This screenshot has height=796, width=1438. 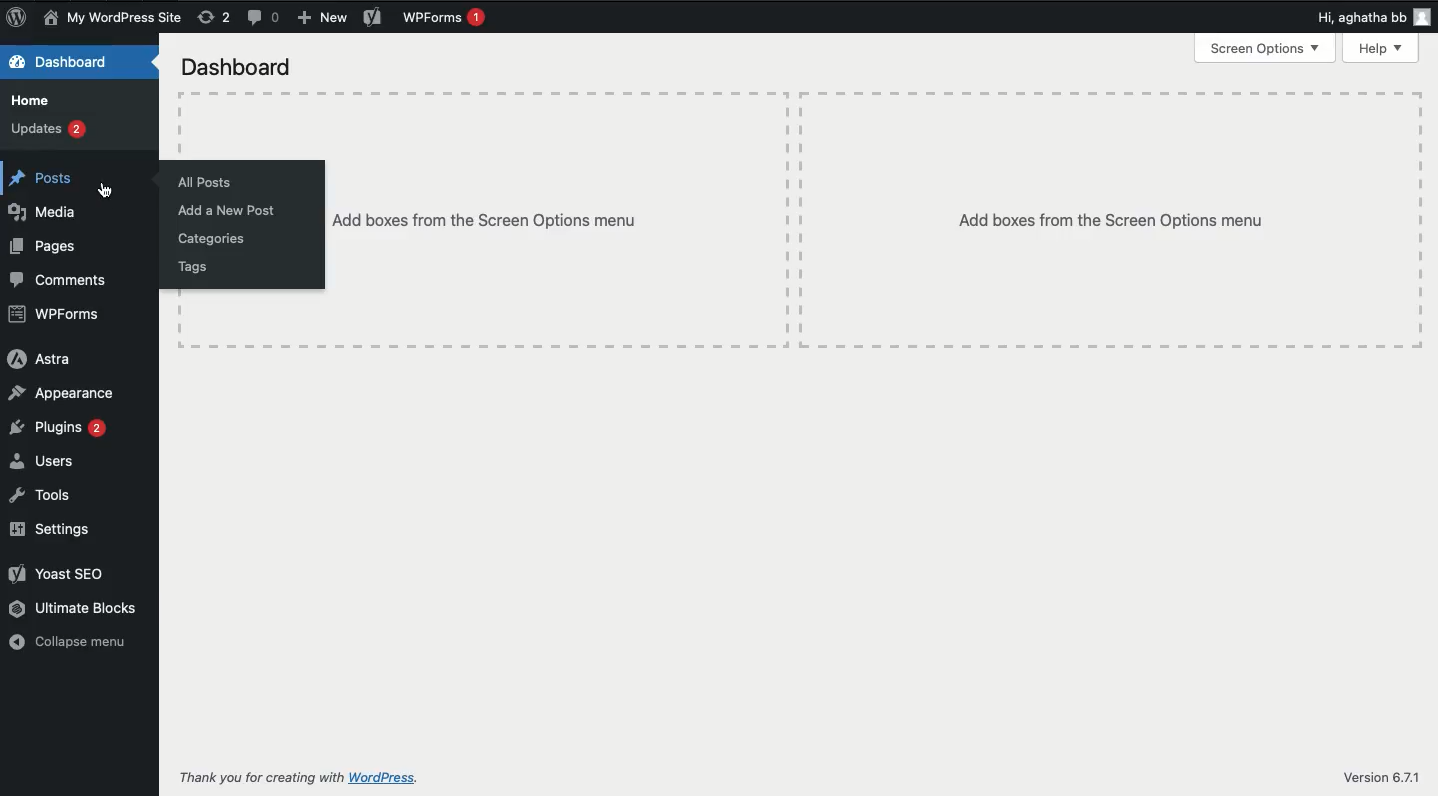 I want to click on Comments, so click(x=264, y=18).